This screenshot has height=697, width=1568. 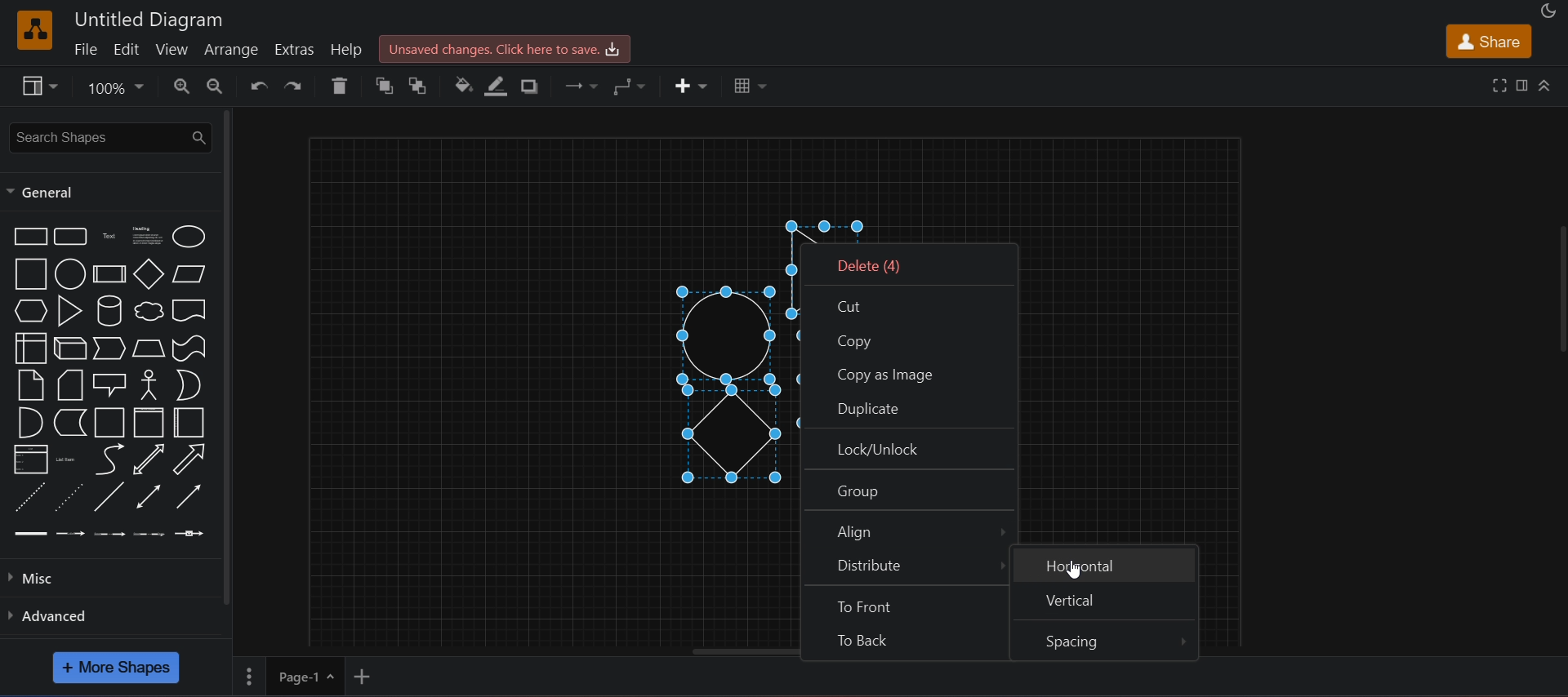 I want to click on container, so click(x=107, y=422).